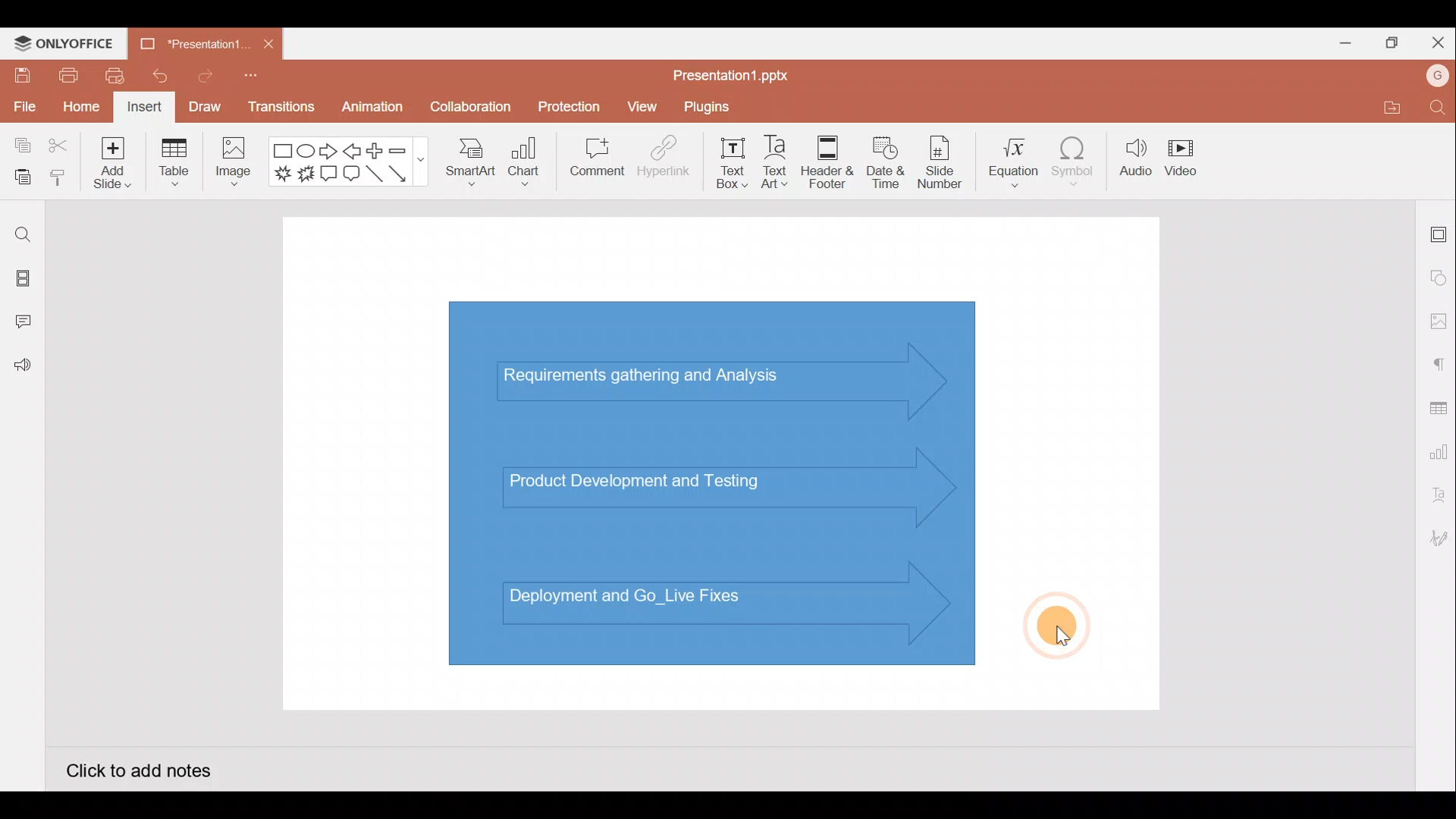 The height and width of the screenshot is (819, 1456). What do you see at coordinates (565, 107) in the screenshot?
I see `Protection` at bounding box center [565, 107].